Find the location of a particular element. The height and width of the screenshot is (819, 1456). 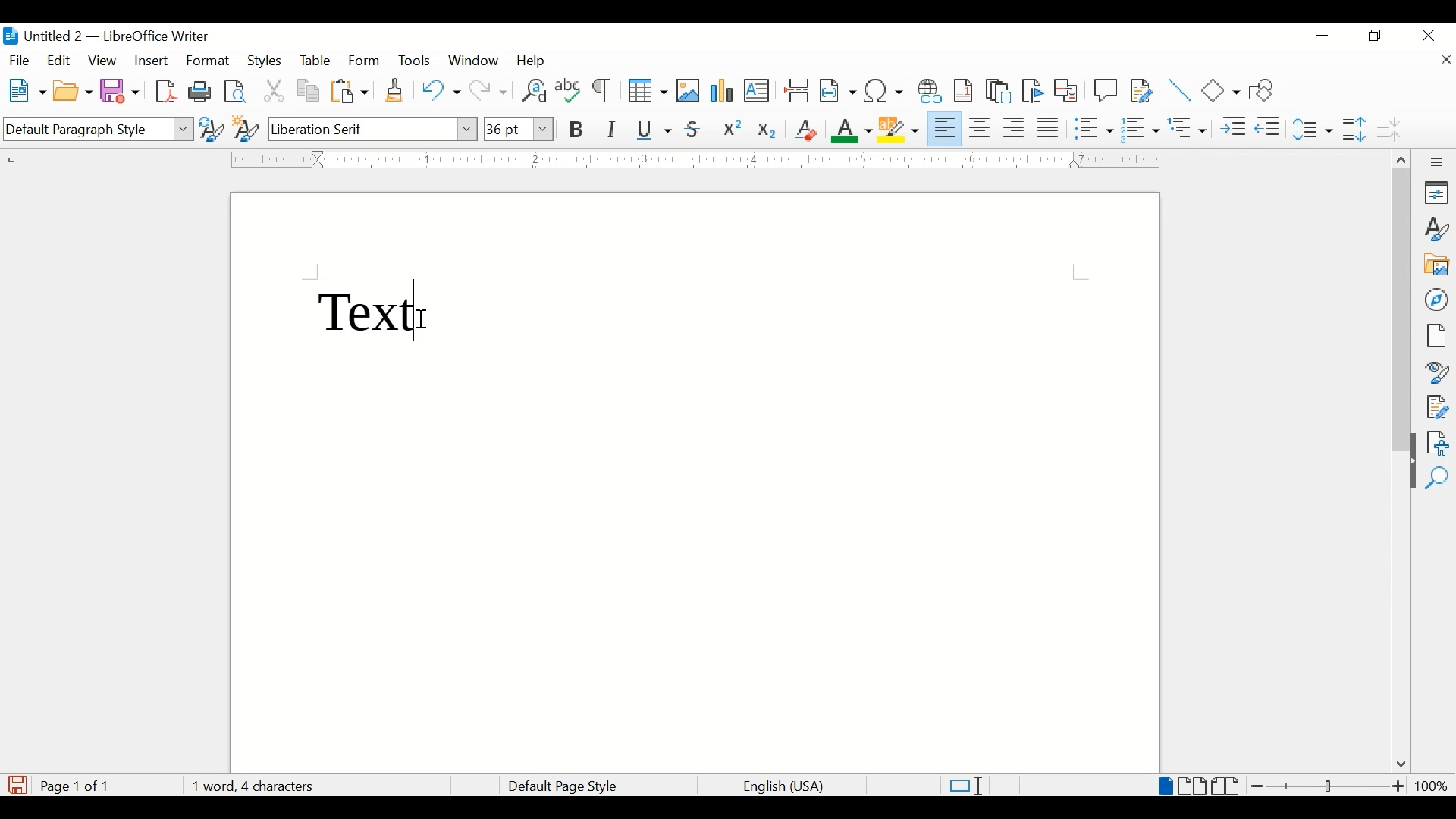

insert image is located at coordinates (689, 90).